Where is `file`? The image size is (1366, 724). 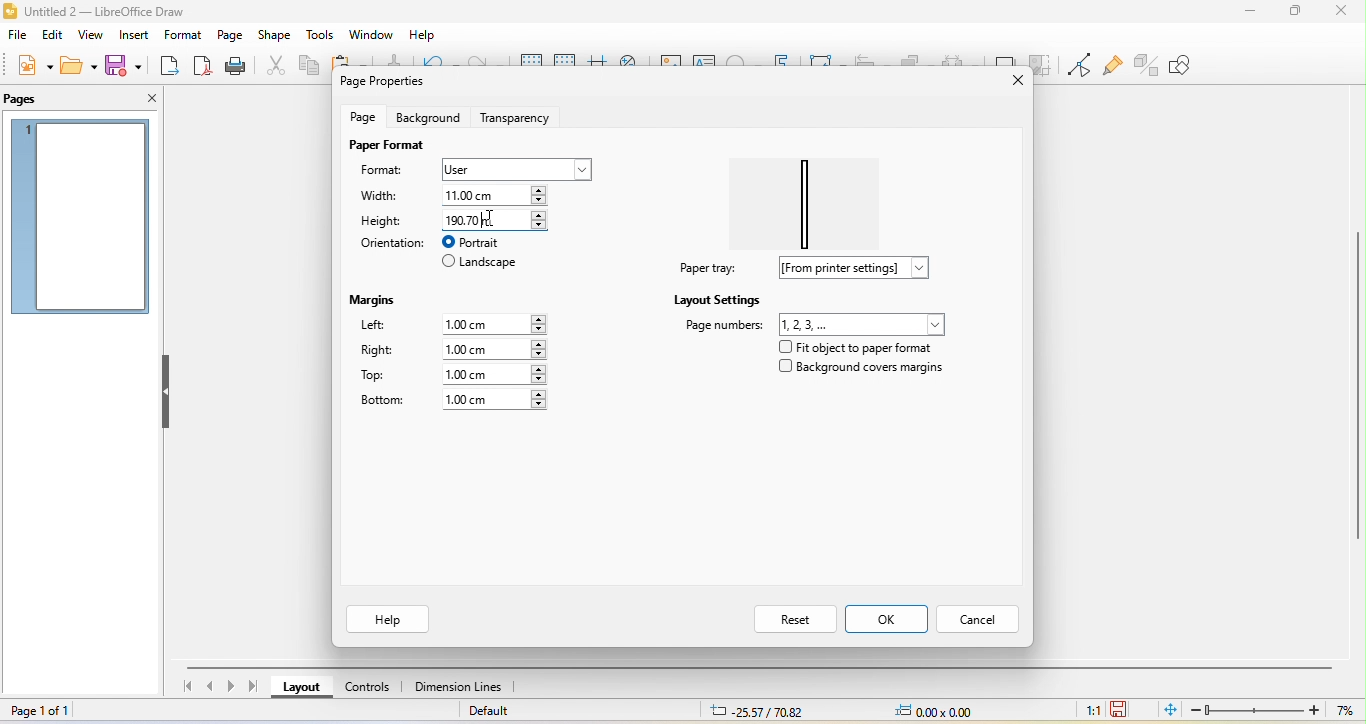 file is located at coordinates (17, 37).